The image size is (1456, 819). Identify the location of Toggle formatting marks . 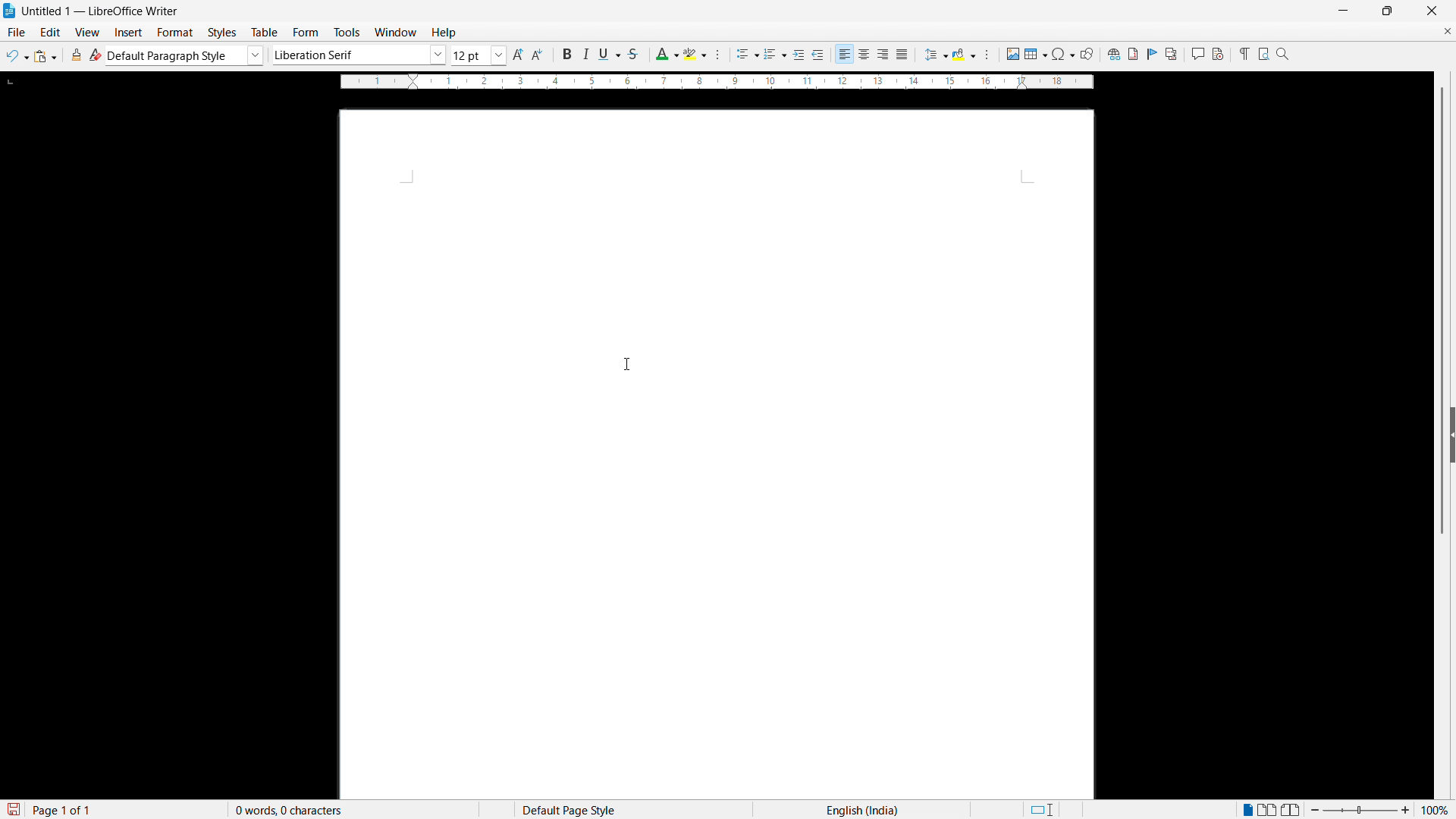
(1242, 53).